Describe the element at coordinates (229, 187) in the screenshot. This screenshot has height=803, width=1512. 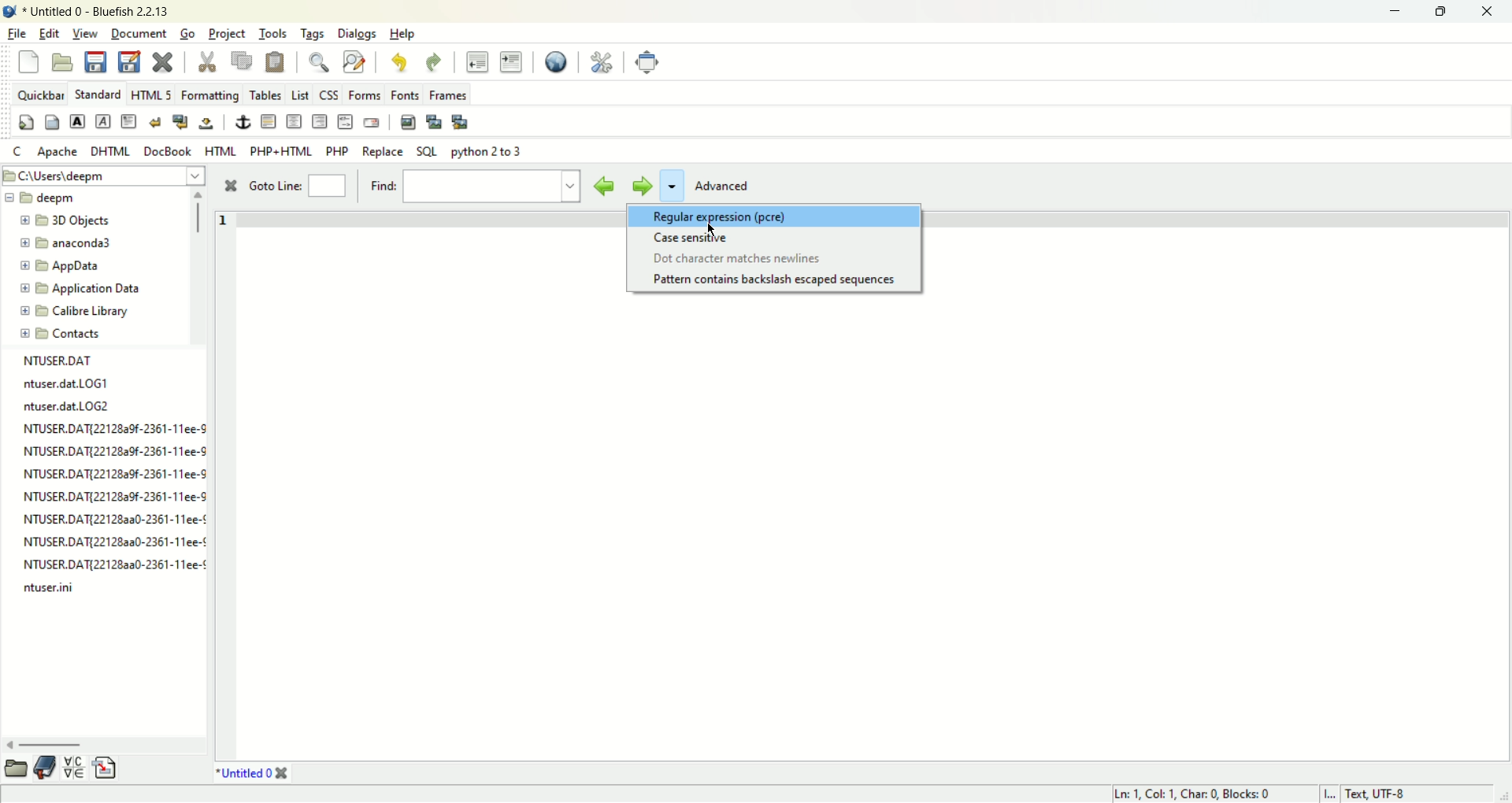
I see `close` at that location.